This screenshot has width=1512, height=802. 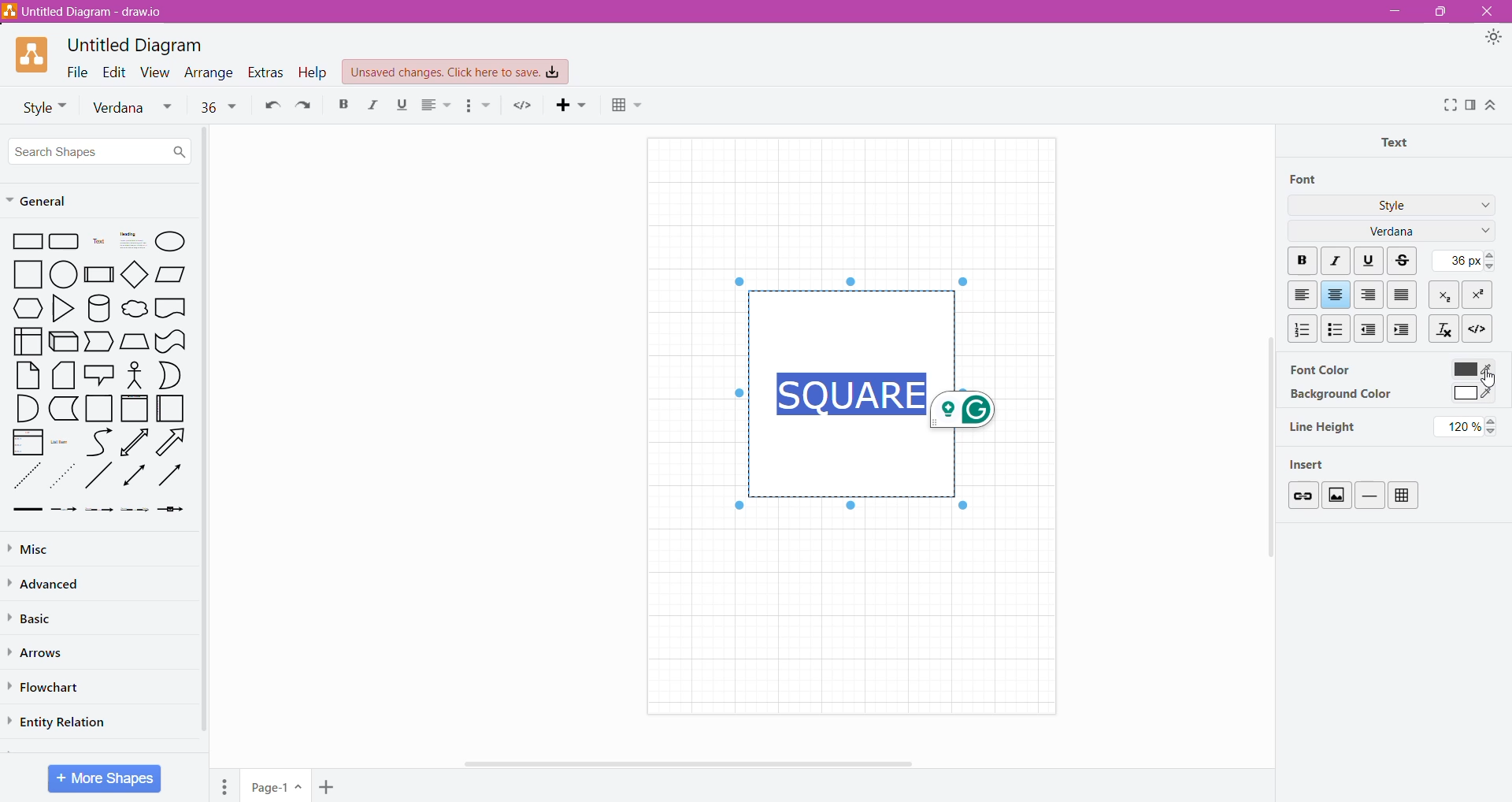 What do you see at coordinates (98, 510) in the screenshot?
I see `Thin Arrow` at bounding box center [98, 510].